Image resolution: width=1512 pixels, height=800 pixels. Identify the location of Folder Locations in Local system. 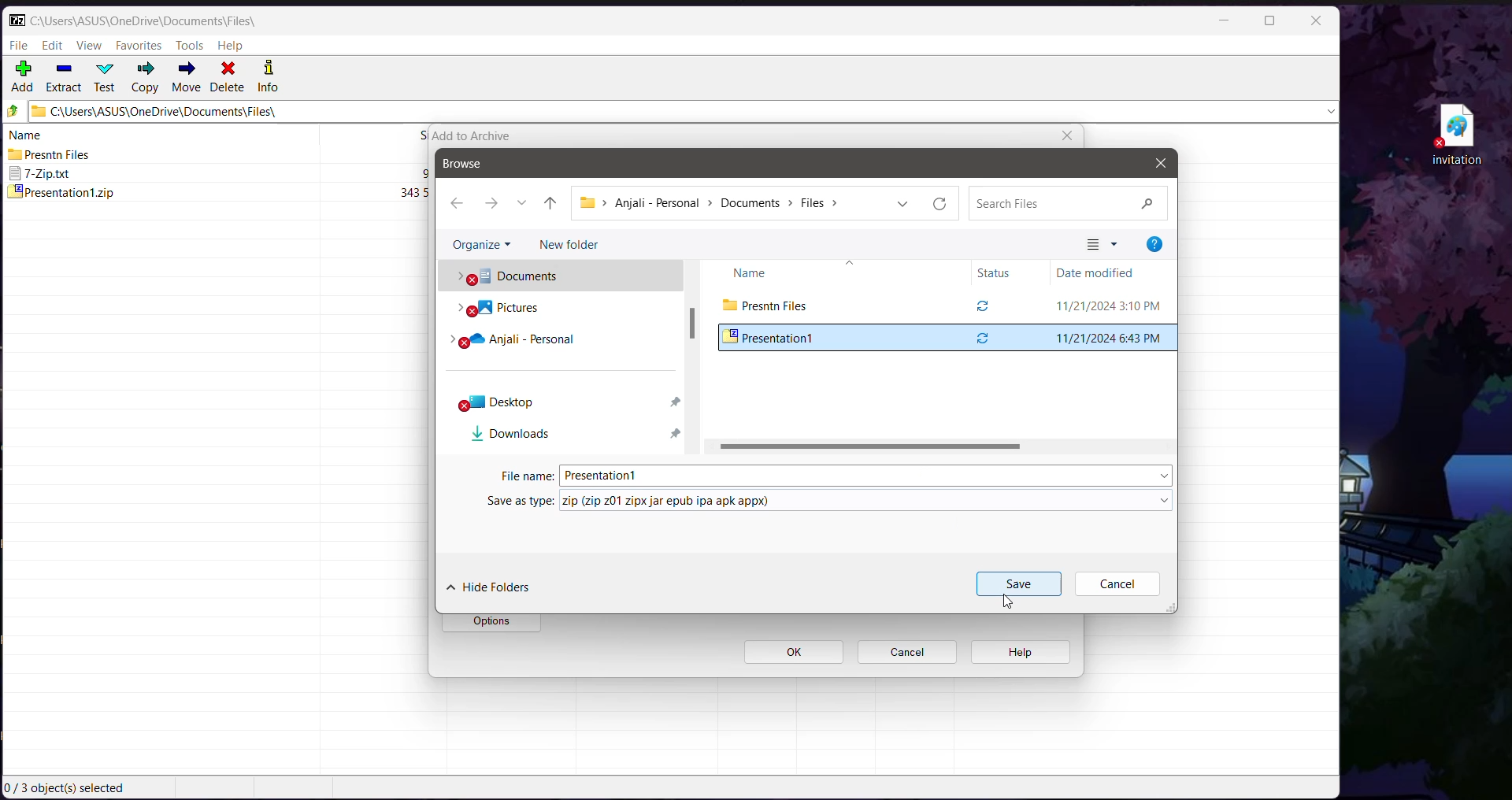
(560, 357).